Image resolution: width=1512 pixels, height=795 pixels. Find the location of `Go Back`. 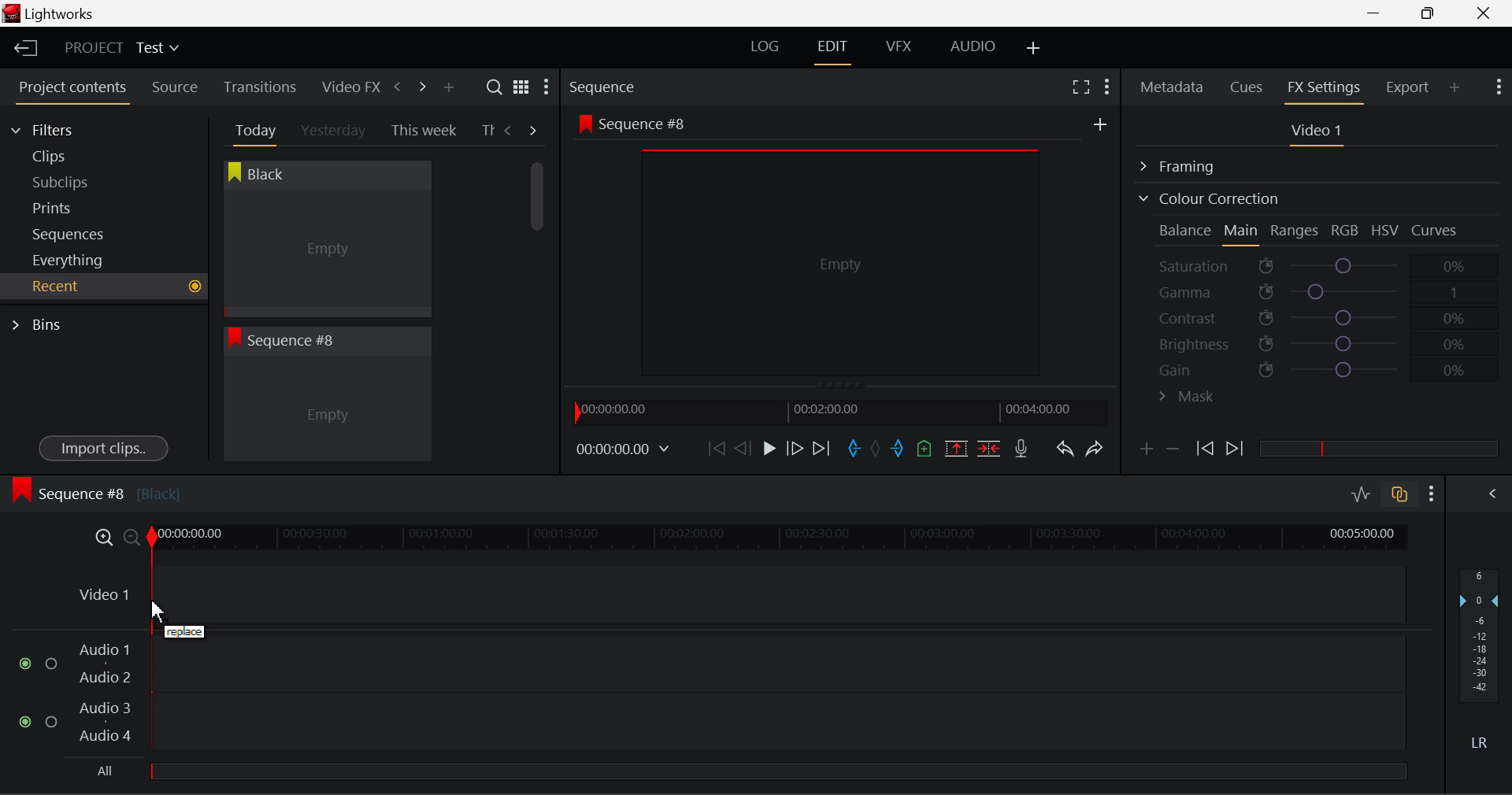

Go Back is located at coordinates (745, 447).